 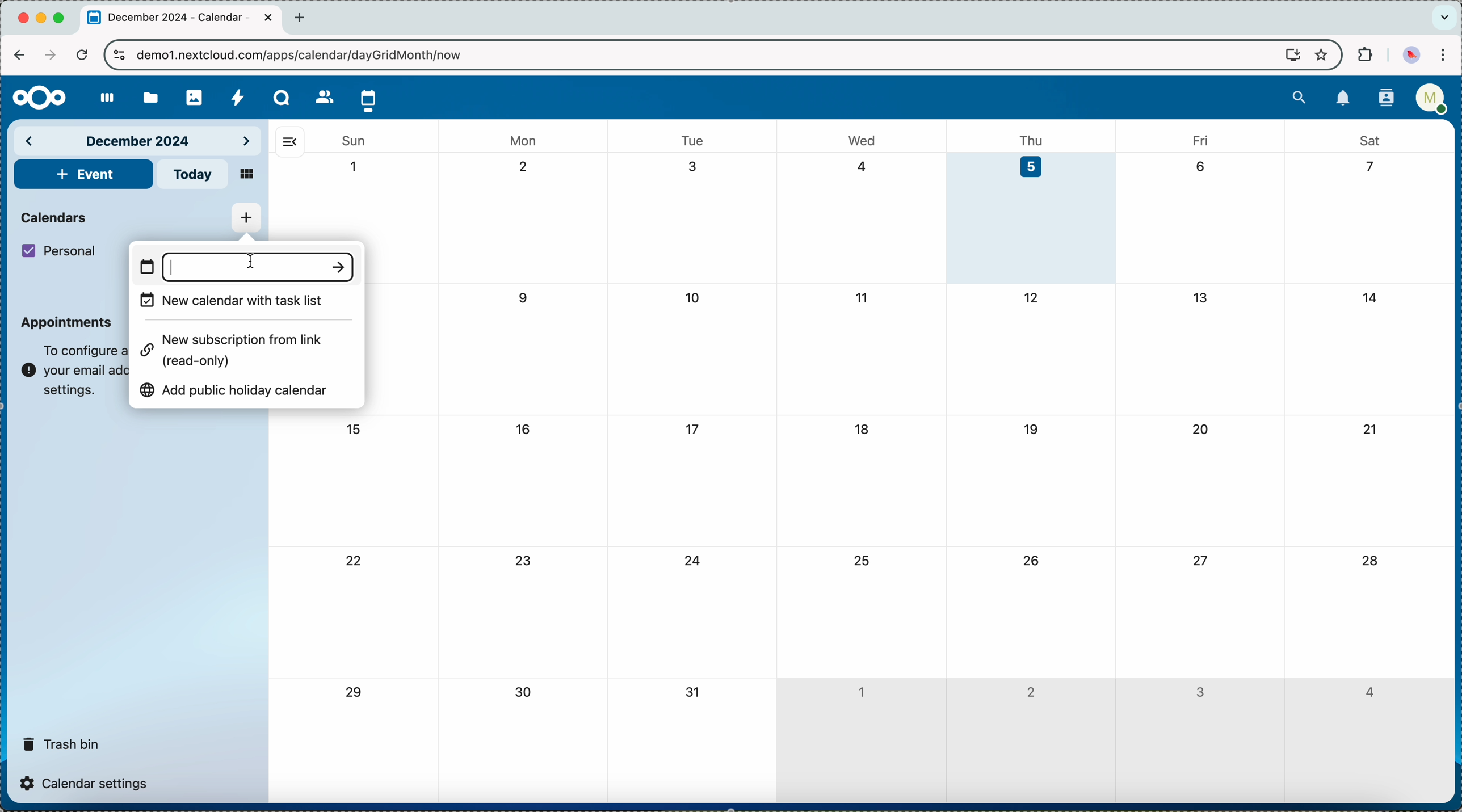 What do you see at coordinates (1287, 56) in the screenshot?
I see `screen` at bounding box center [1287, 56].